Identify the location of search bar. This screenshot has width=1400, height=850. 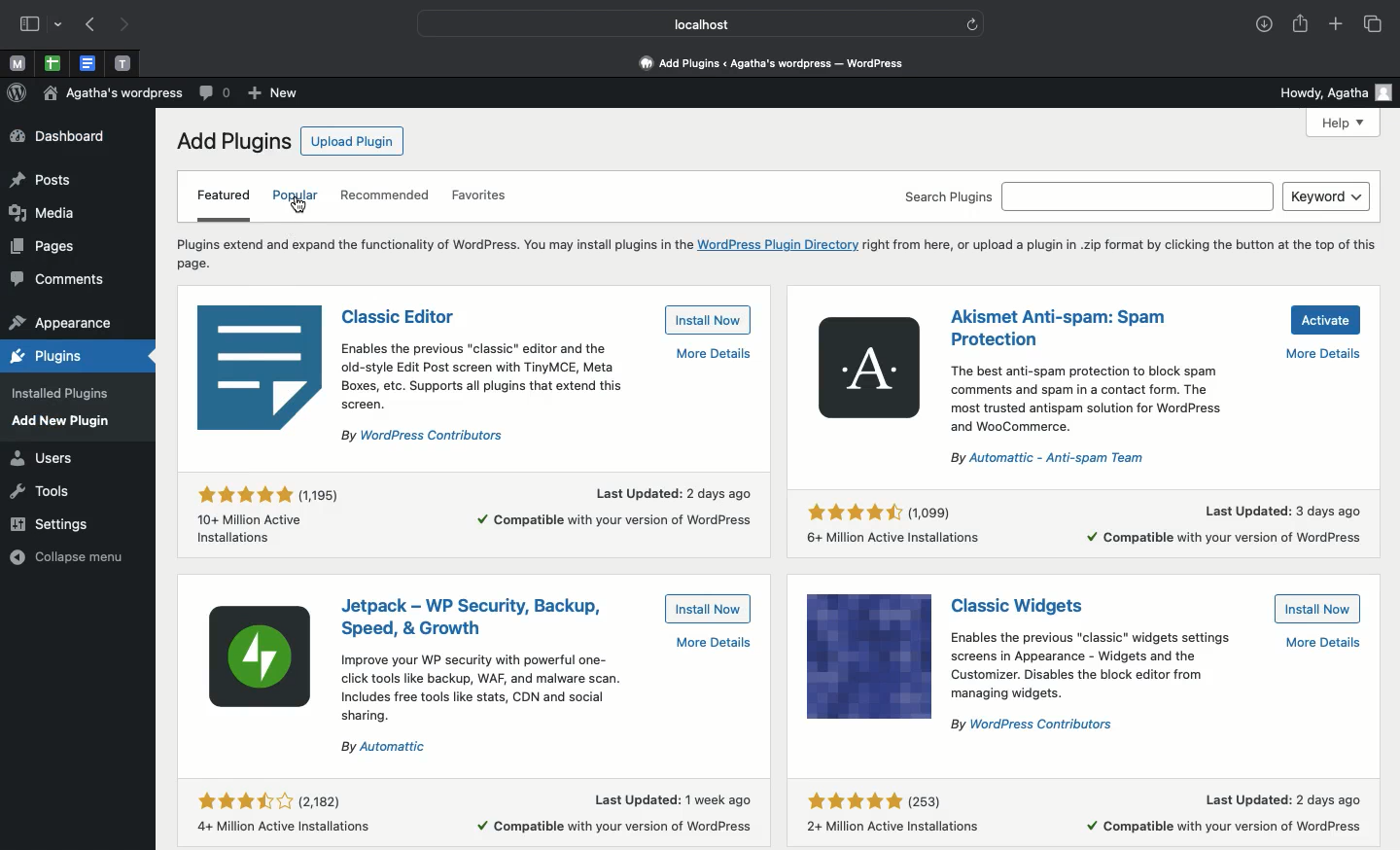
(1139, 195).